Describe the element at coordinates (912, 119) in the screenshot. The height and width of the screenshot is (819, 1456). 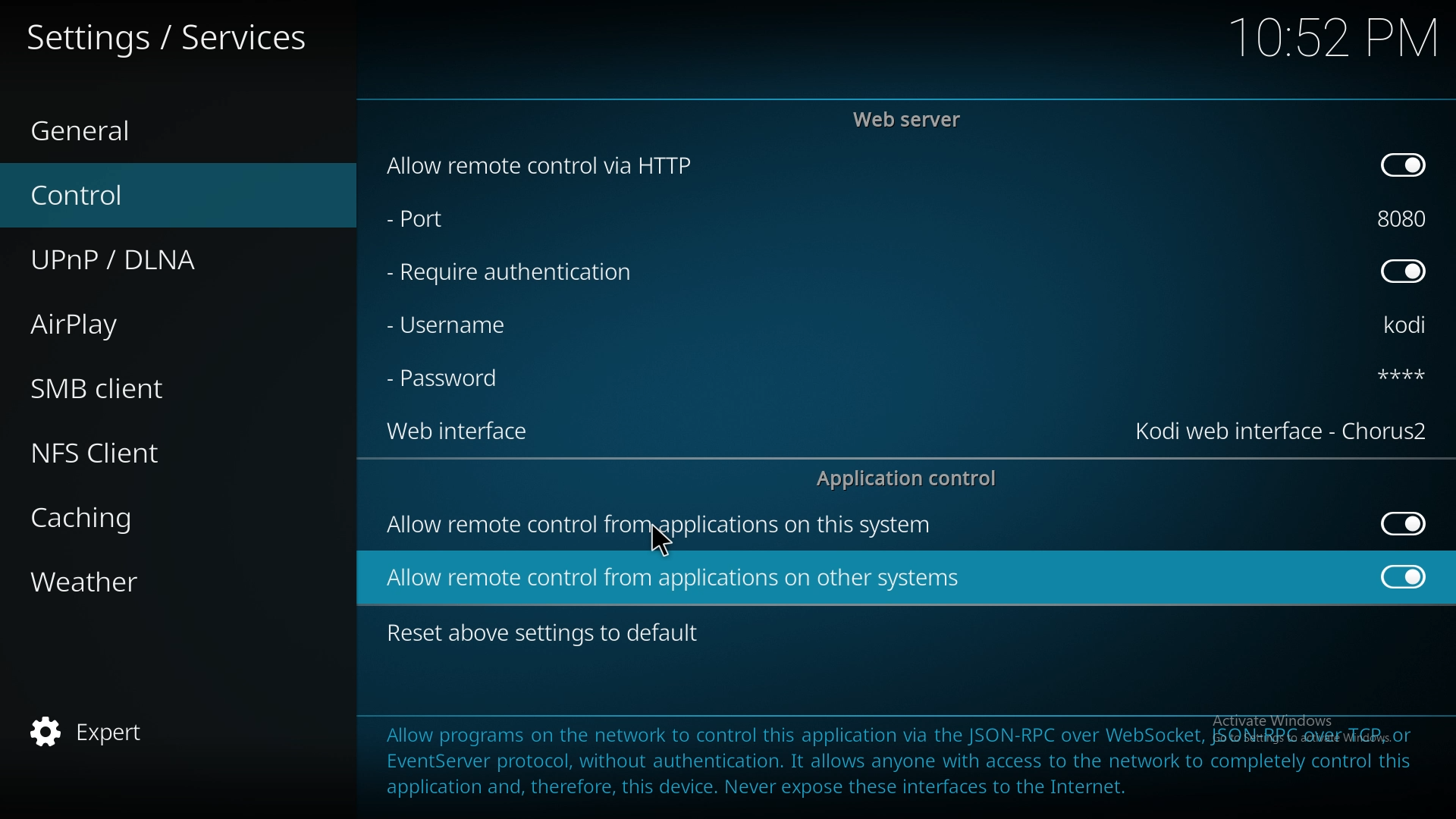
I see `web server` at that location.